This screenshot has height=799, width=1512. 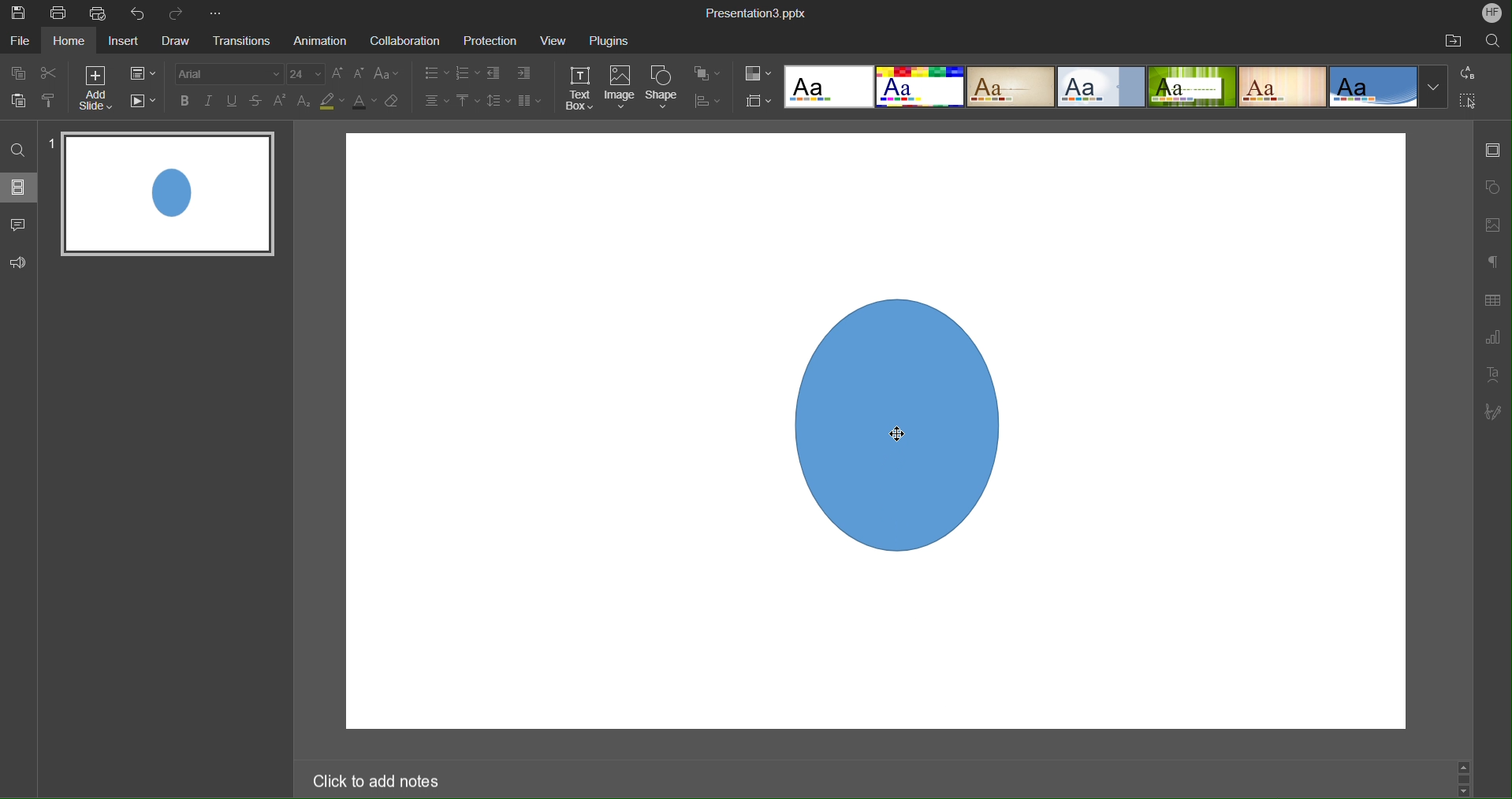 I want to click on Templates, so click(x=1115, y=86).